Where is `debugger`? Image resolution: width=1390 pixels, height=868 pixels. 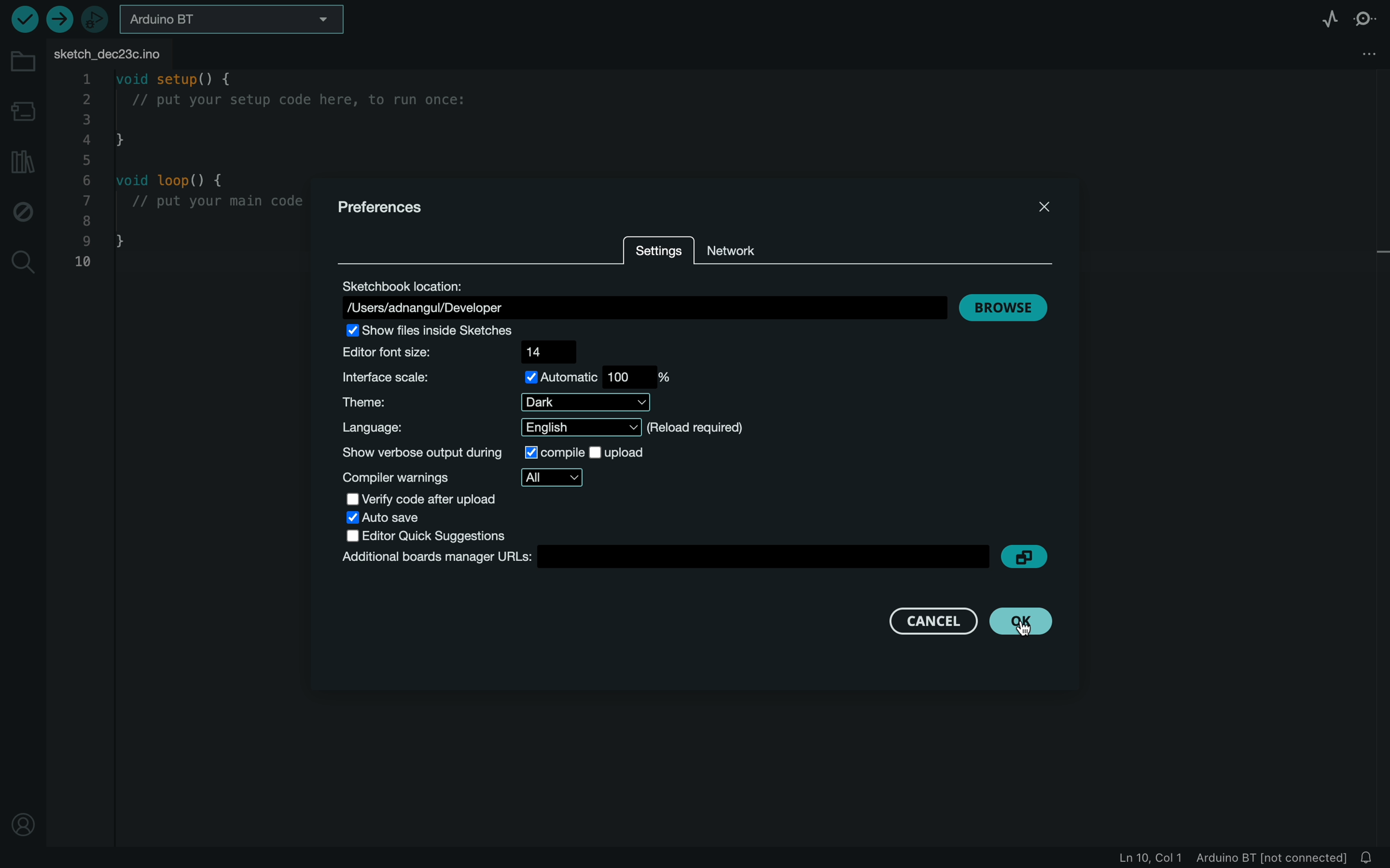
debugger is located at coordinates (96, 19).